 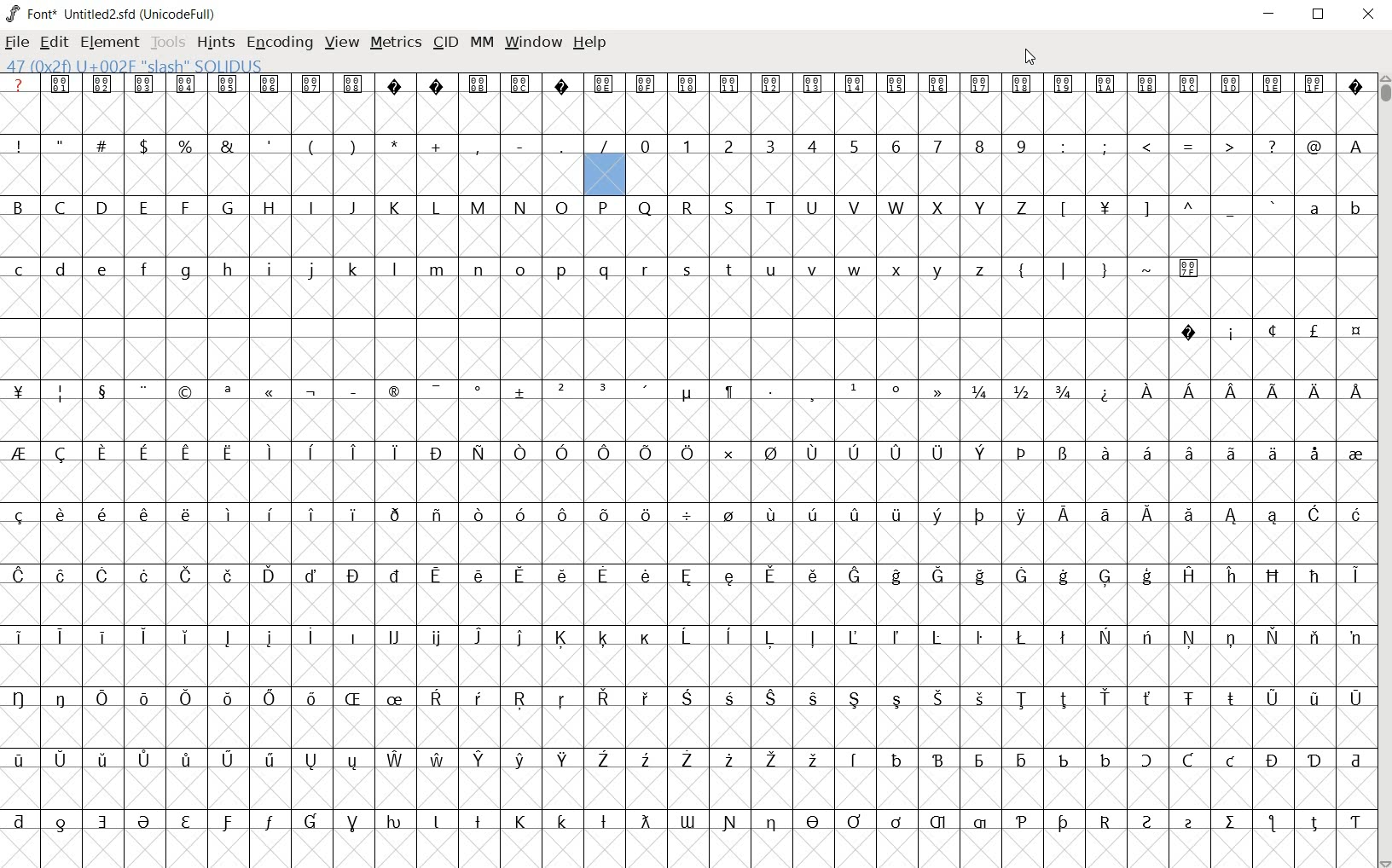 I want to click on empty cells, so click(x=1002, y=176).